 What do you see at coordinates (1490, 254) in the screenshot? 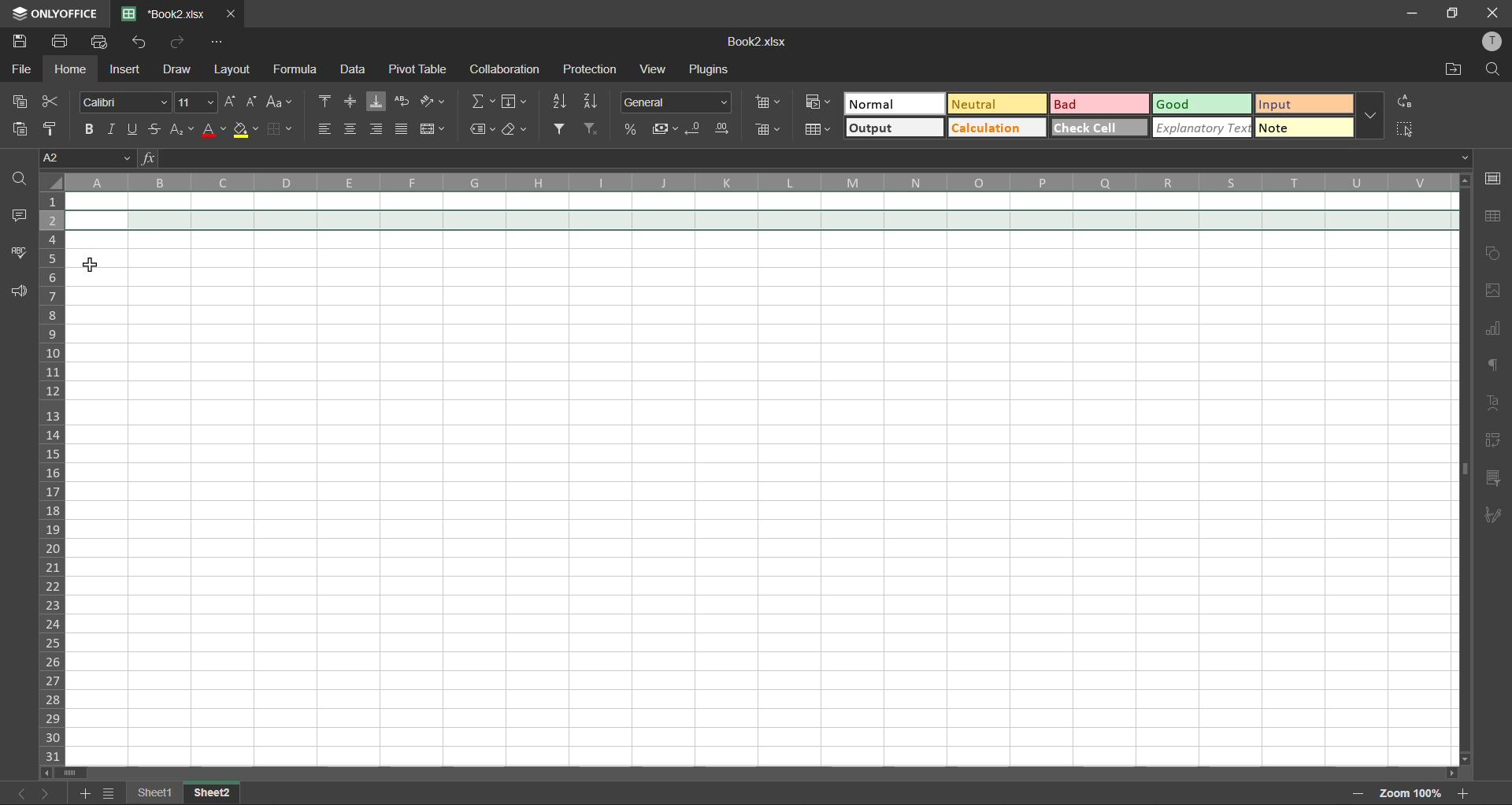
I see `shapes` at bounding box center [1490, 254].